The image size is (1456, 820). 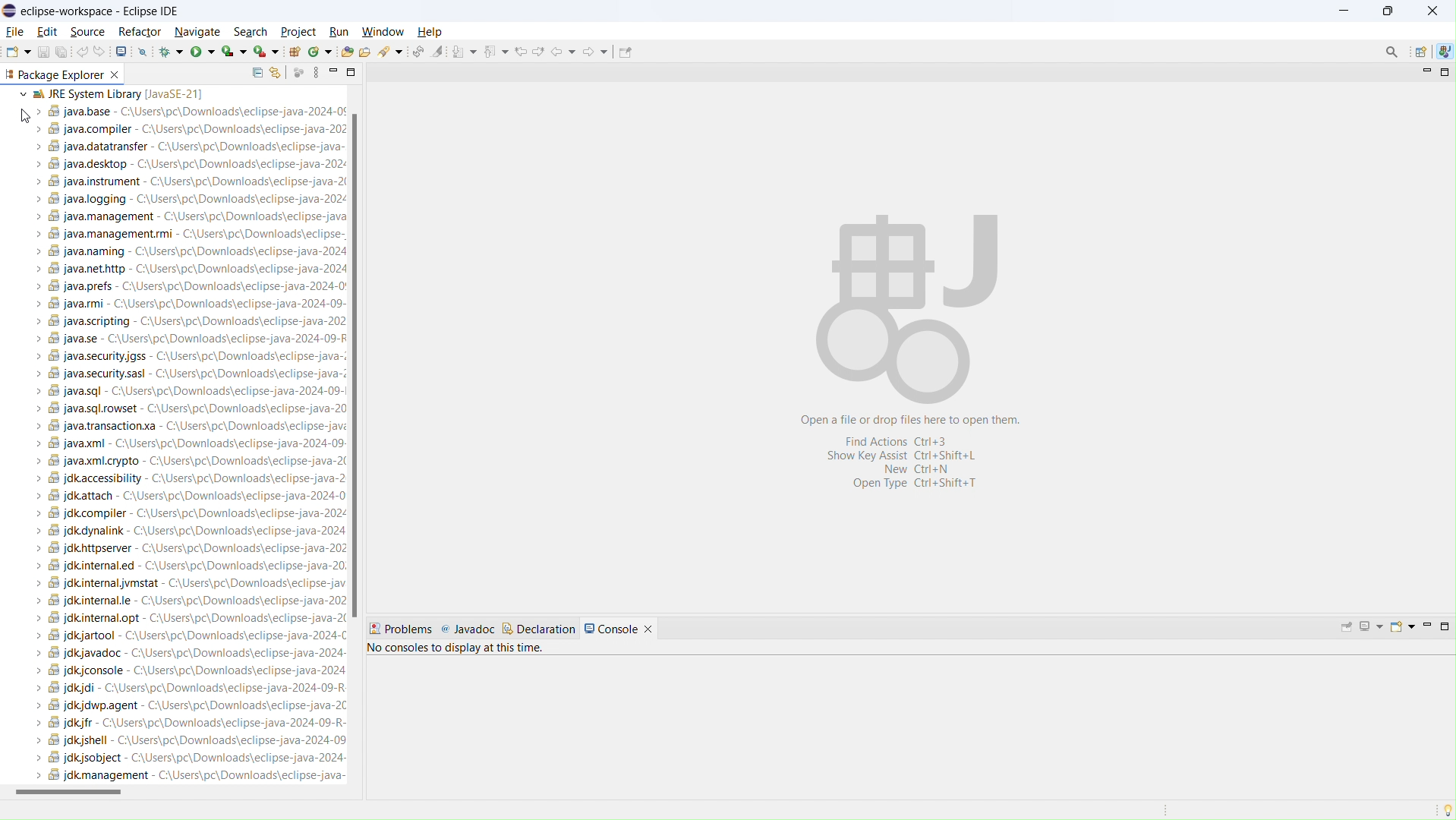 What do you see at coordinates (250, 30) in the screenshot?
I see `search` at bounding box center [250, 30].